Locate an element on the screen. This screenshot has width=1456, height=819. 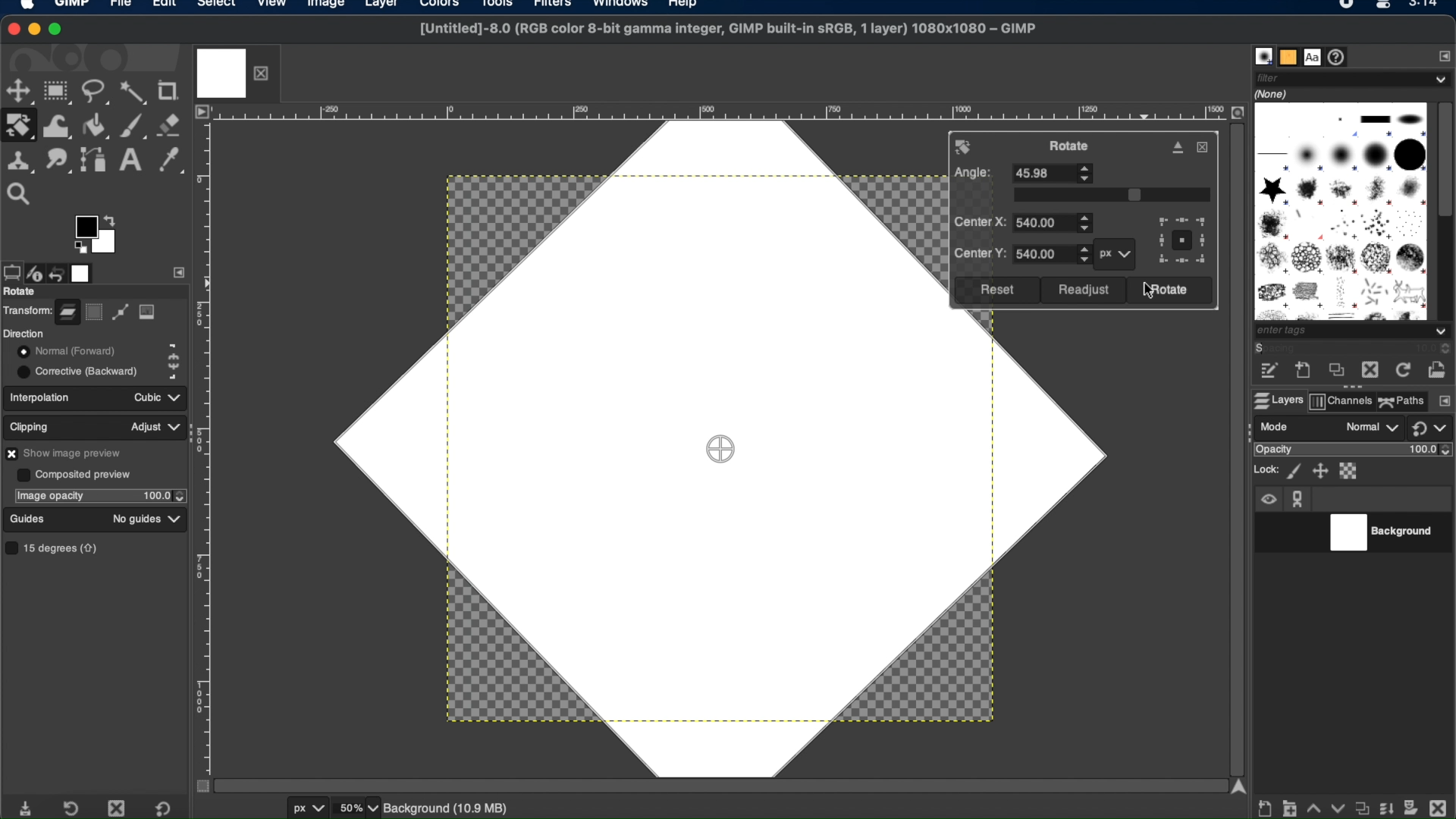
zoom levels is located at coordinates (359, 808).